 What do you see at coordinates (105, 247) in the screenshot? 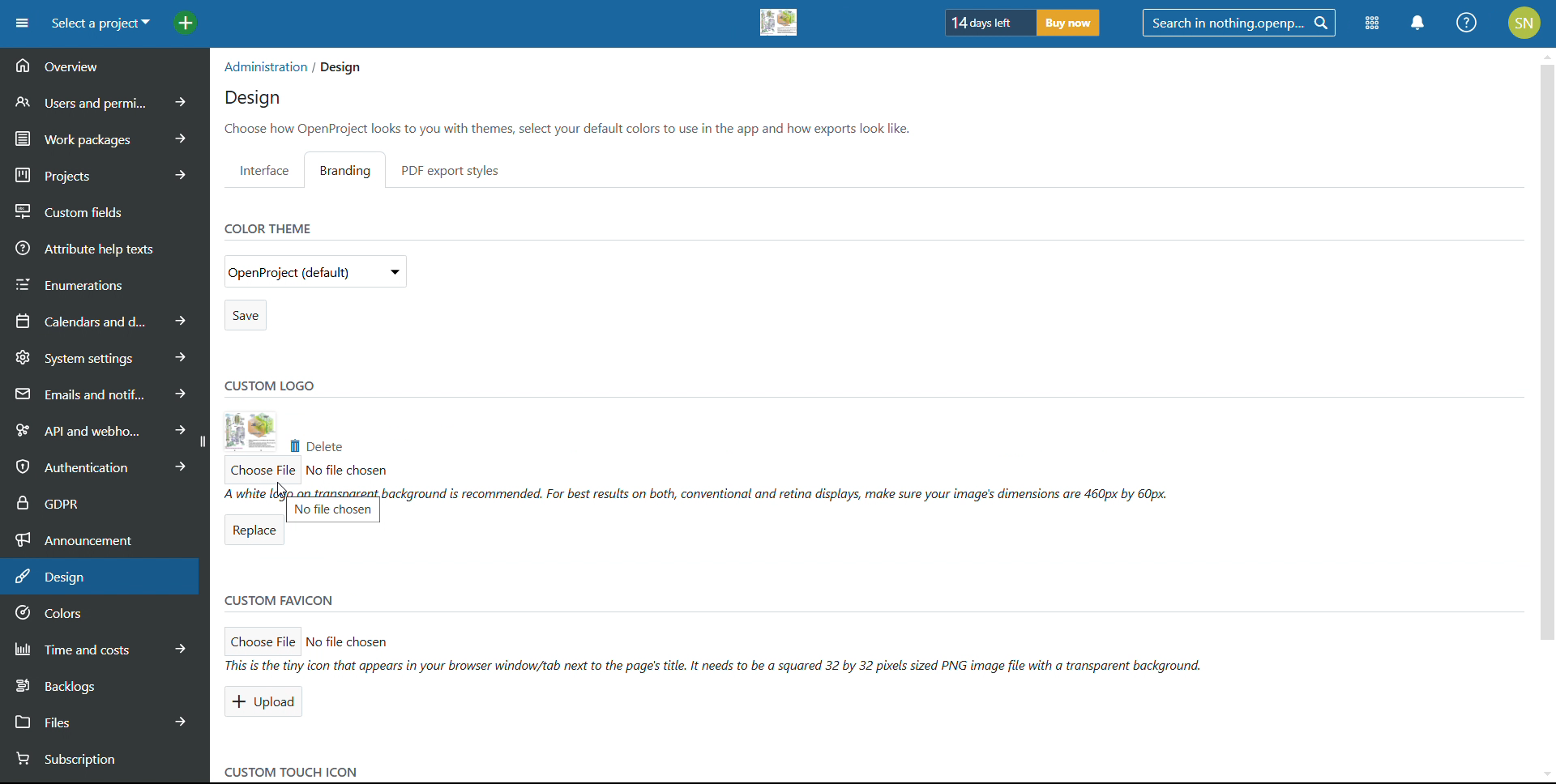
I see `attribute help texts` at bounding box center [105, 247].